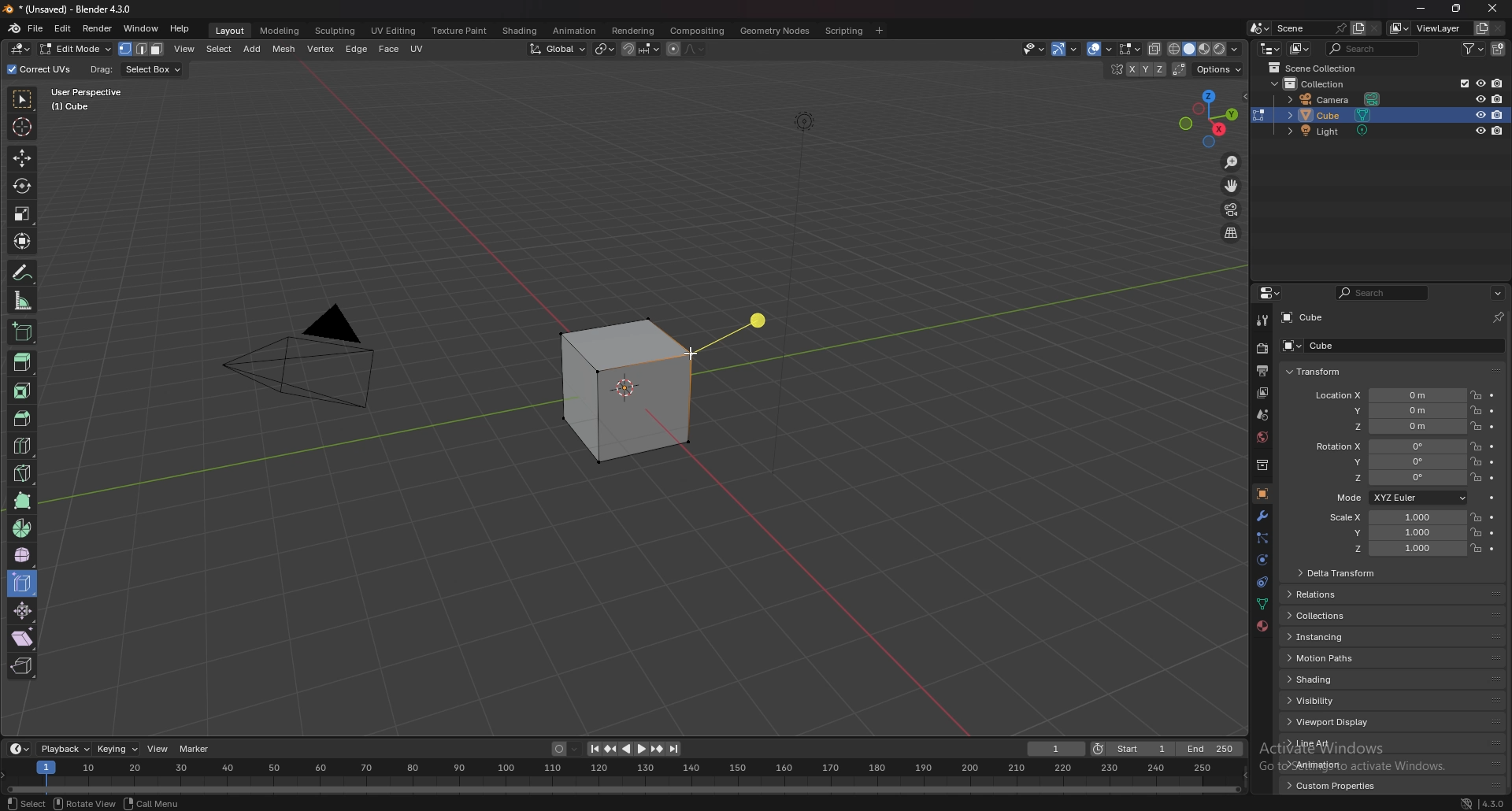  Describe the element at coordinates (1271, 49) in the screenshot. I see `editor type` at that location.